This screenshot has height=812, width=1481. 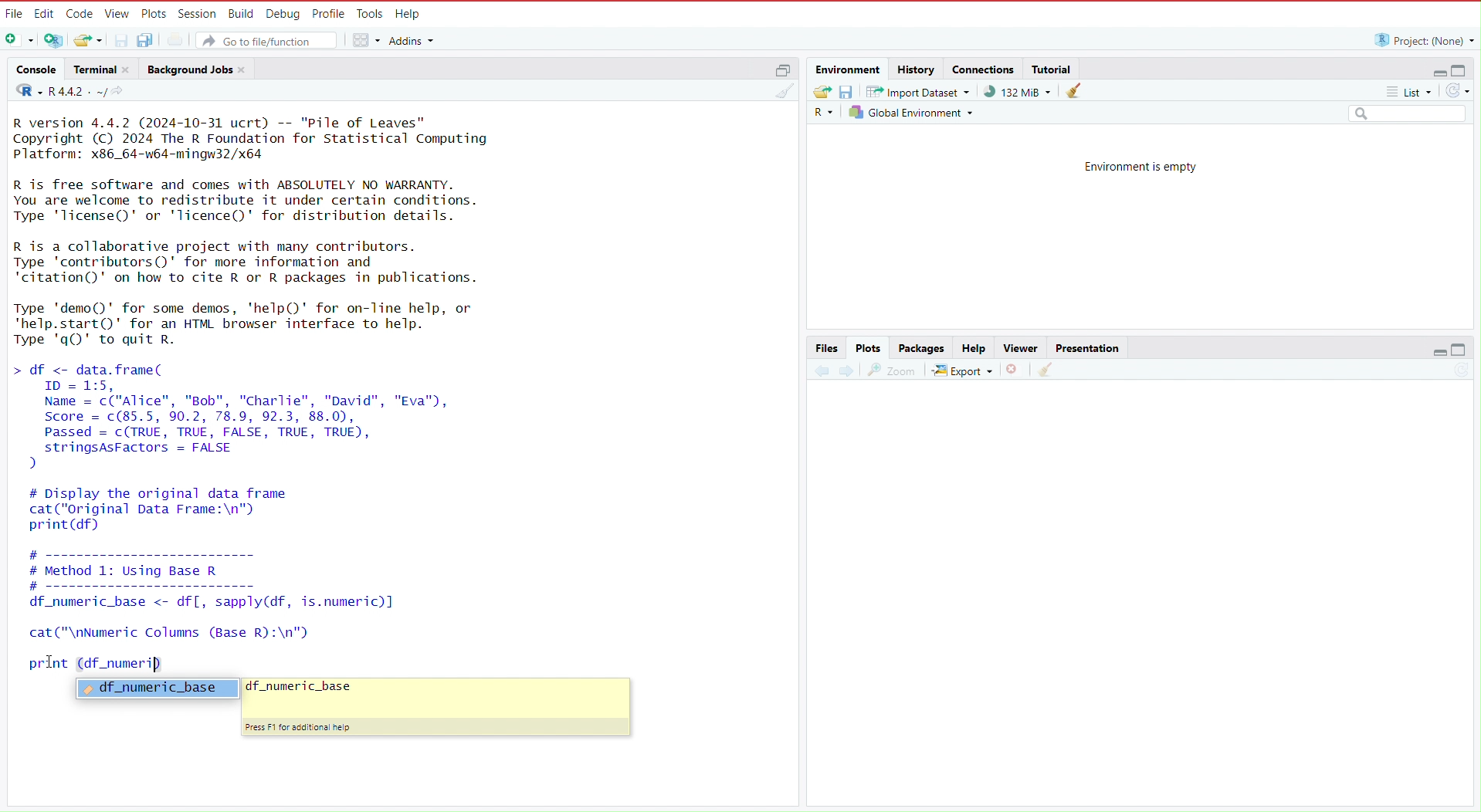 What do you see at coordinates (283, 12) in the screenshot?
I see `Debug` at bounding box center [283, 12].